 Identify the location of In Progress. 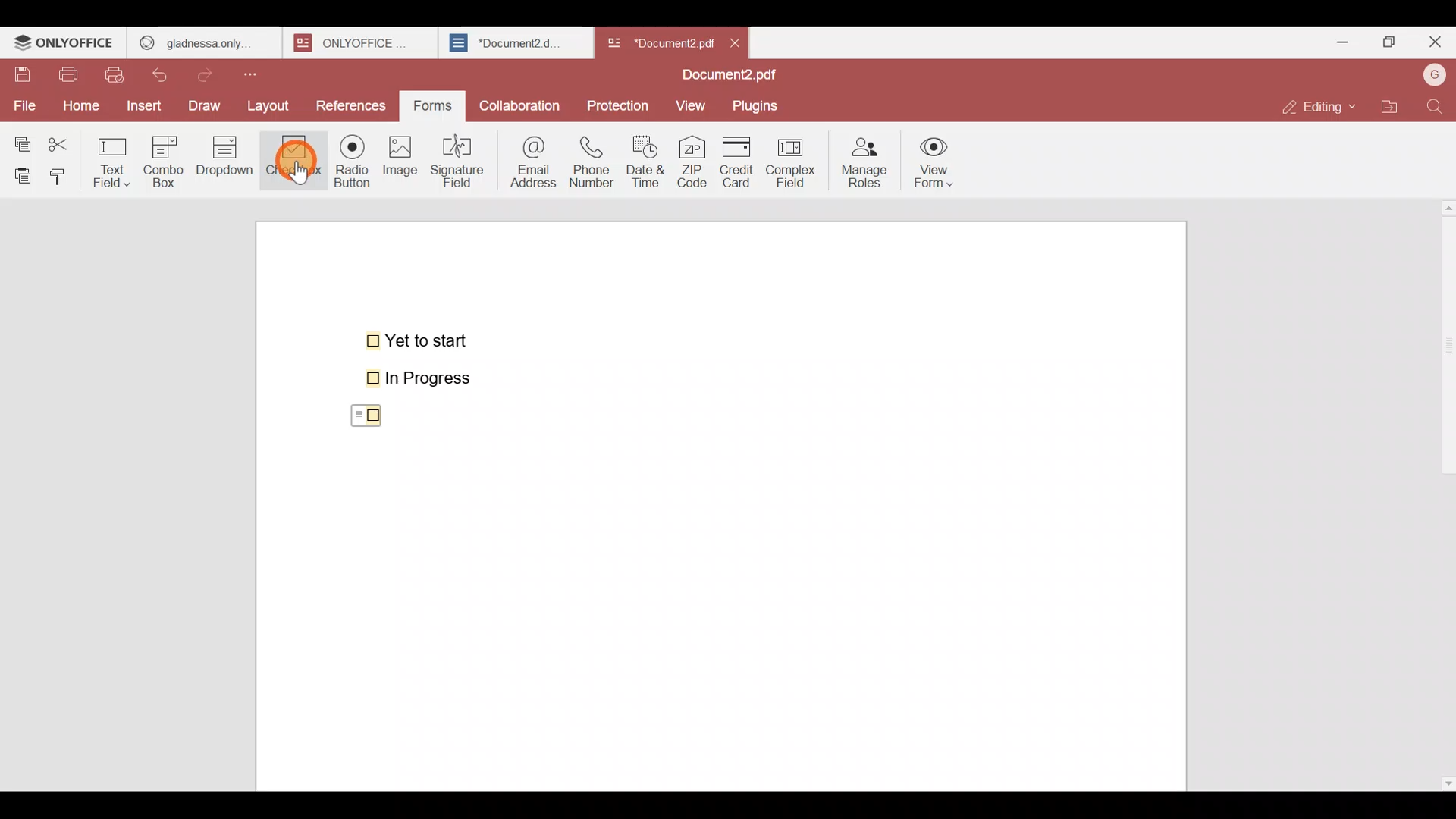
(427, 378).